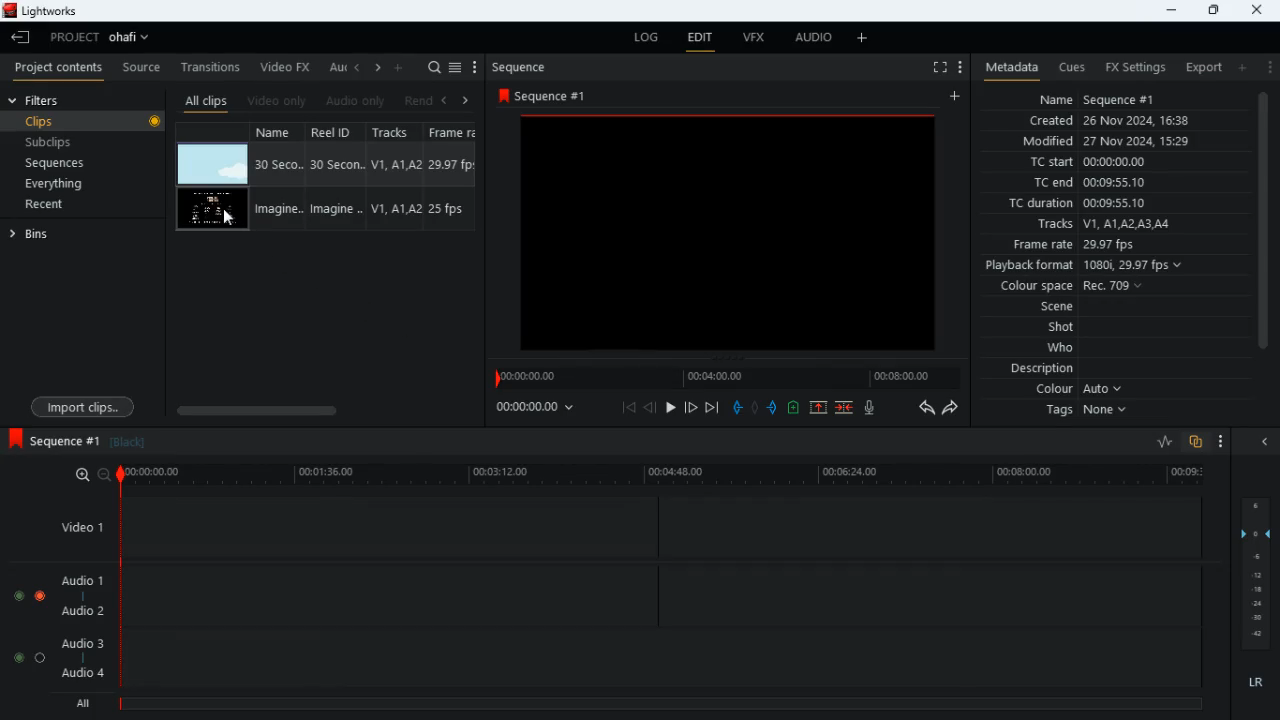  Describe the element at coordinates (40, 593) in the screenshot. I see `Toggle` at that location.